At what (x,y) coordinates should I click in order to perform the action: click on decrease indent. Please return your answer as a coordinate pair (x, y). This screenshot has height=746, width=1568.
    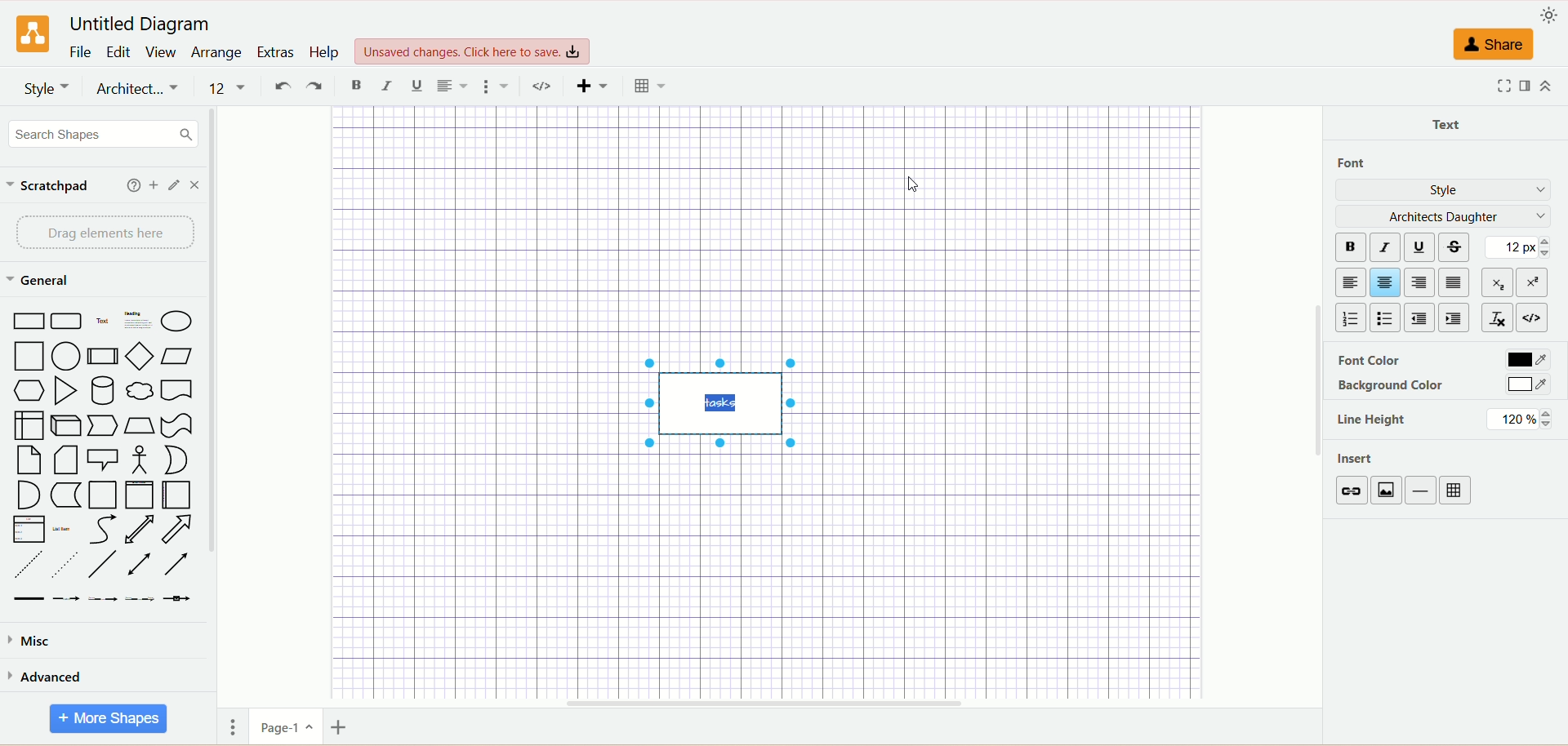
    Looking at the image, I should click on (1420, 317).